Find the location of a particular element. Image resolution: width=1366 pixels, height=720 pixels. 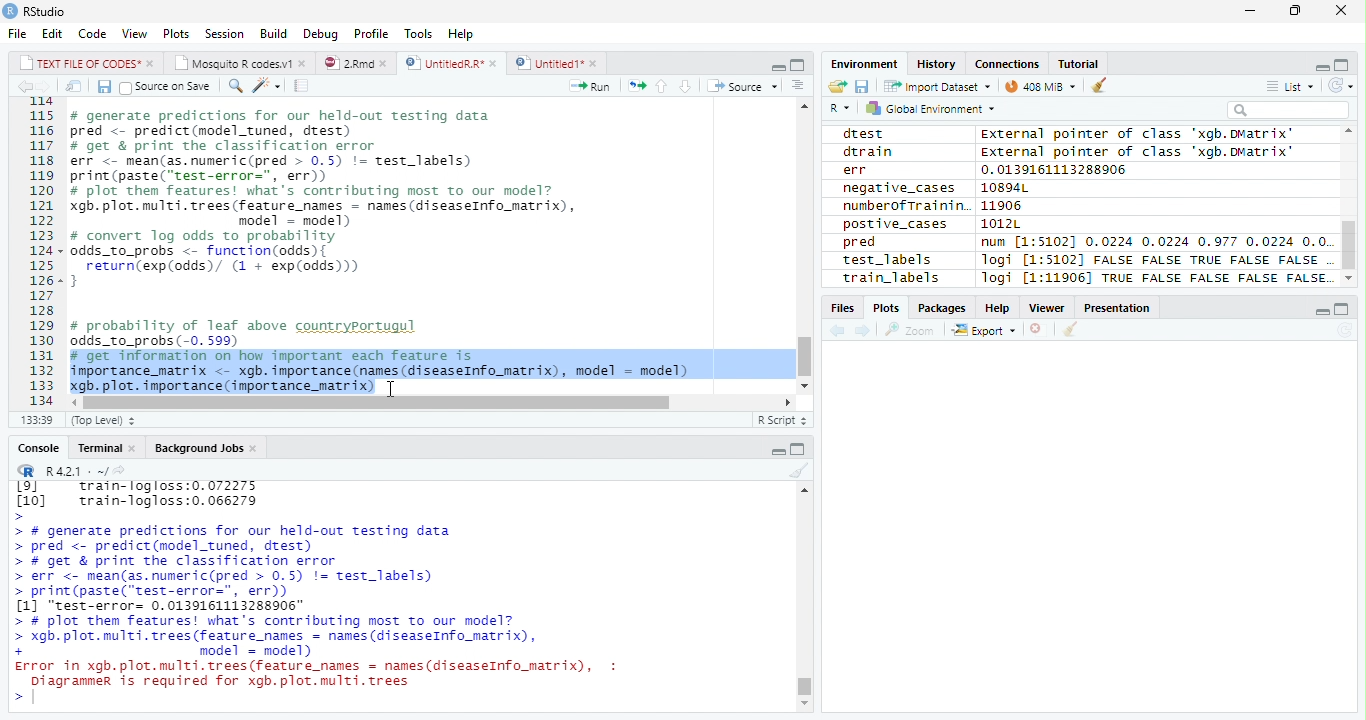

Files is located at coordinates (842, 308).